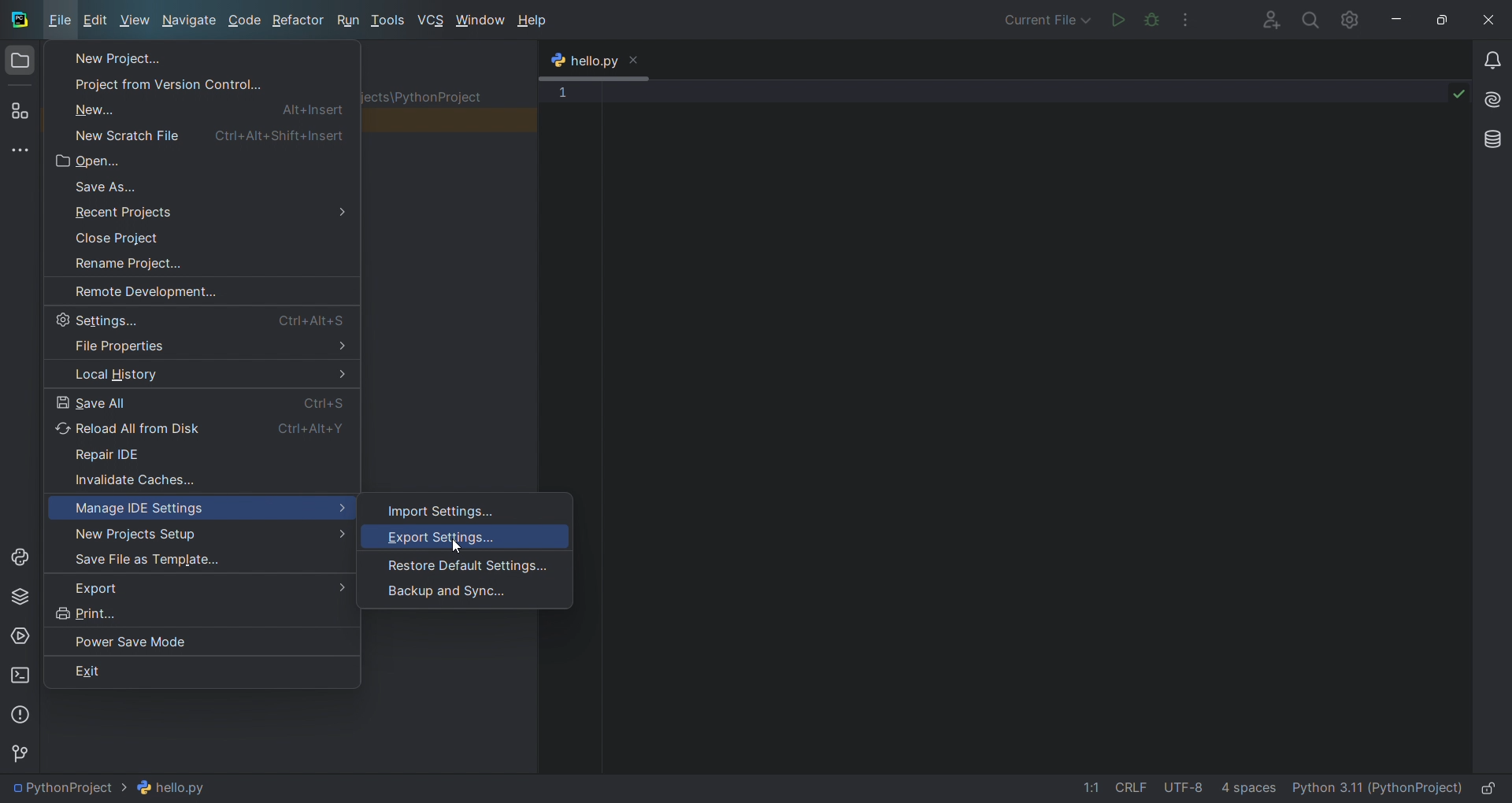 The height and width of the screenshot is (803, 1512). I want to click on python console, so click(18, 559).